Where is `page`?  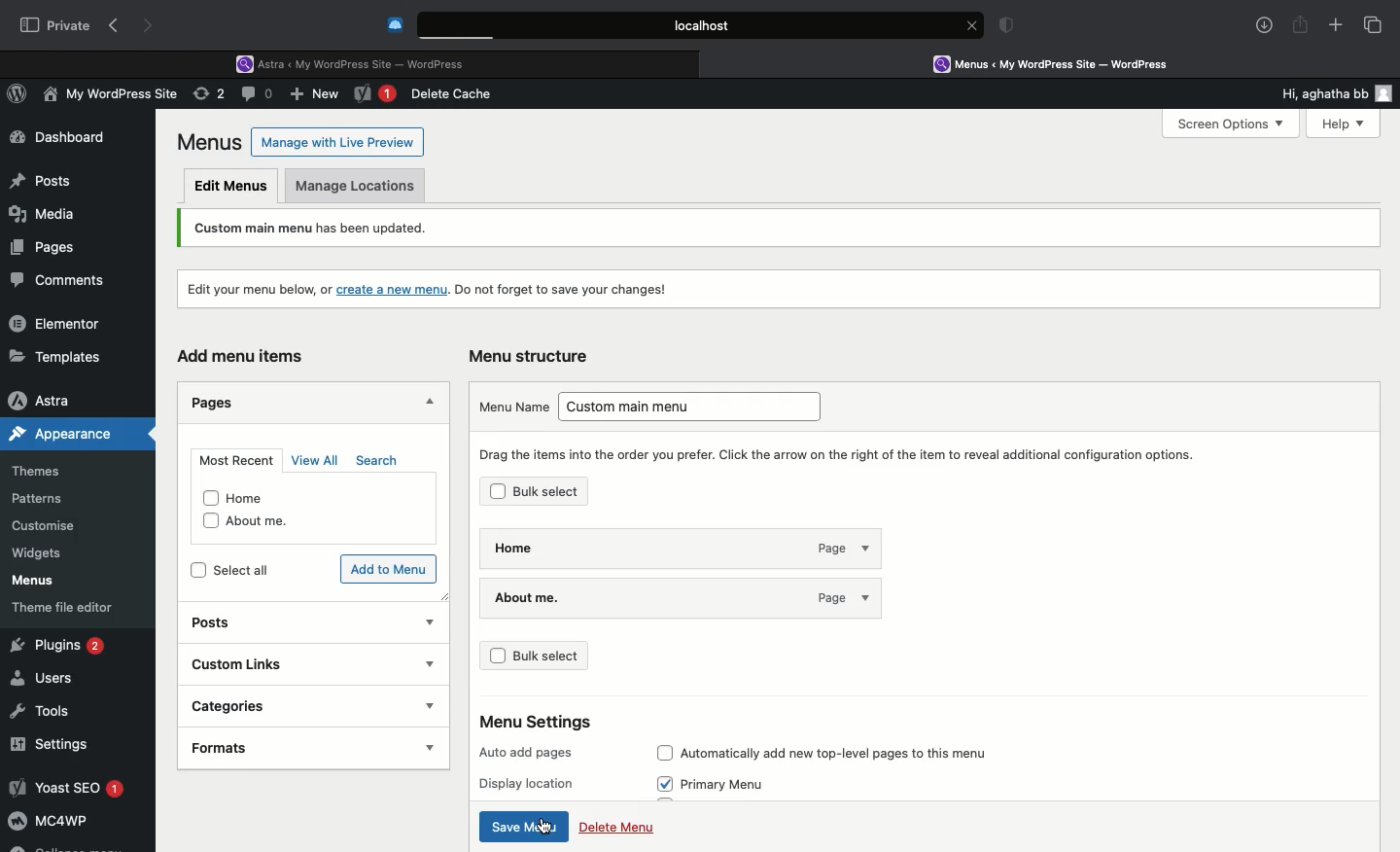 page is located at coordinates (835, 546).